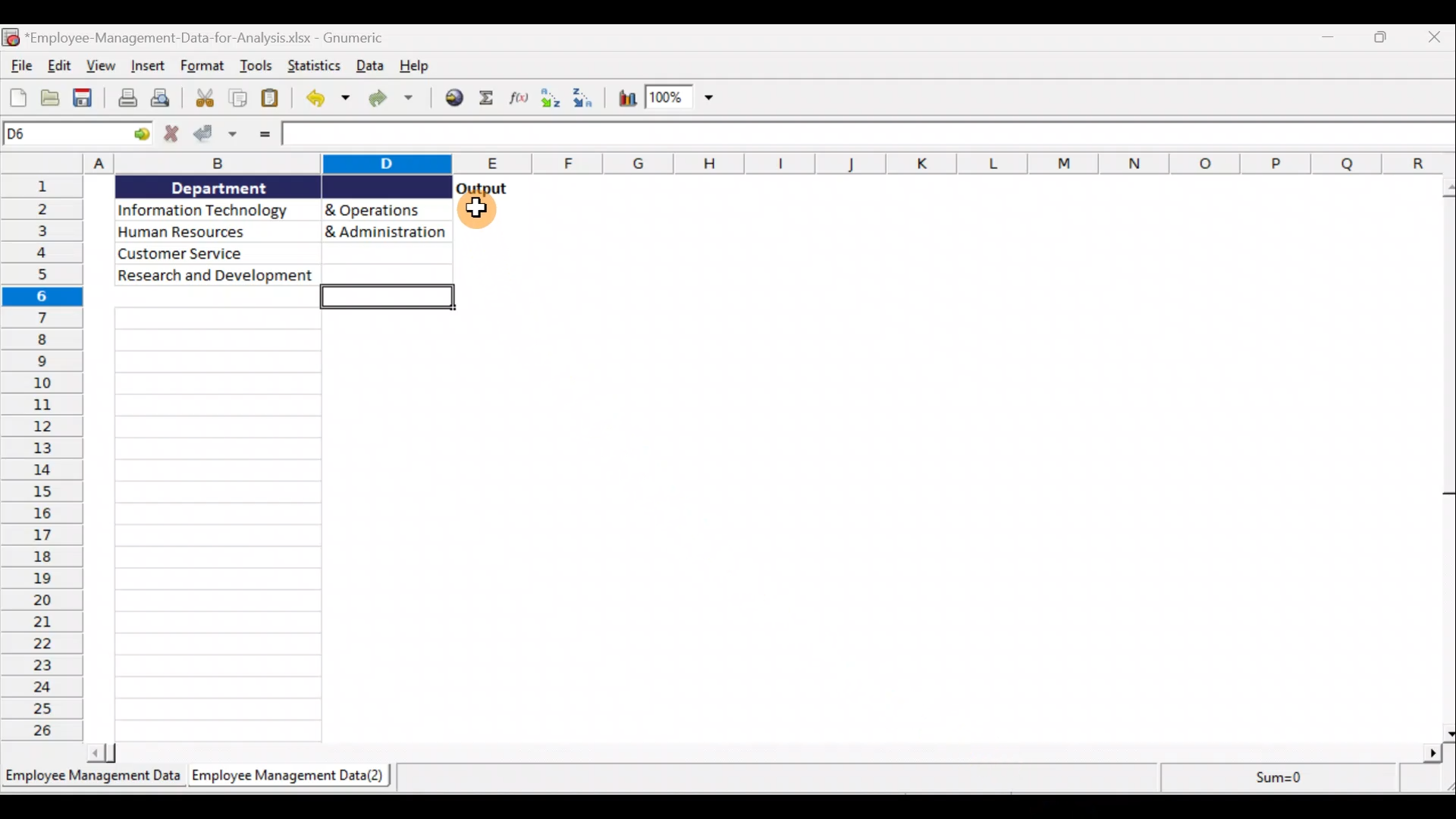 The height and width of the screenshot is (819, 1456). I want to click on Insert a chart, so click(626, 99).